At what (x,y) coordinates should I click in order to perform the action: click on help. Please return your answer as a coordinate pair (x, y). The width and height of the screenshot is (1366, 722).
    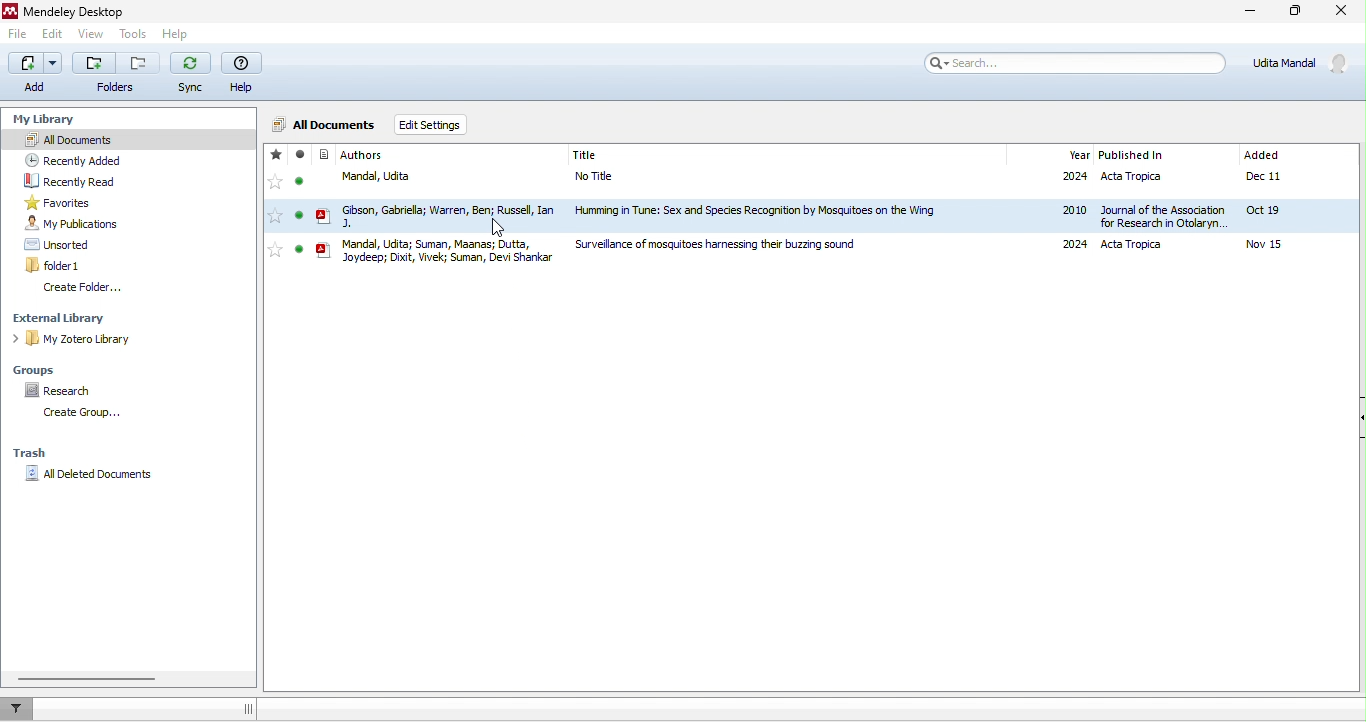
    Looking at the image, I should click on (242, 64).